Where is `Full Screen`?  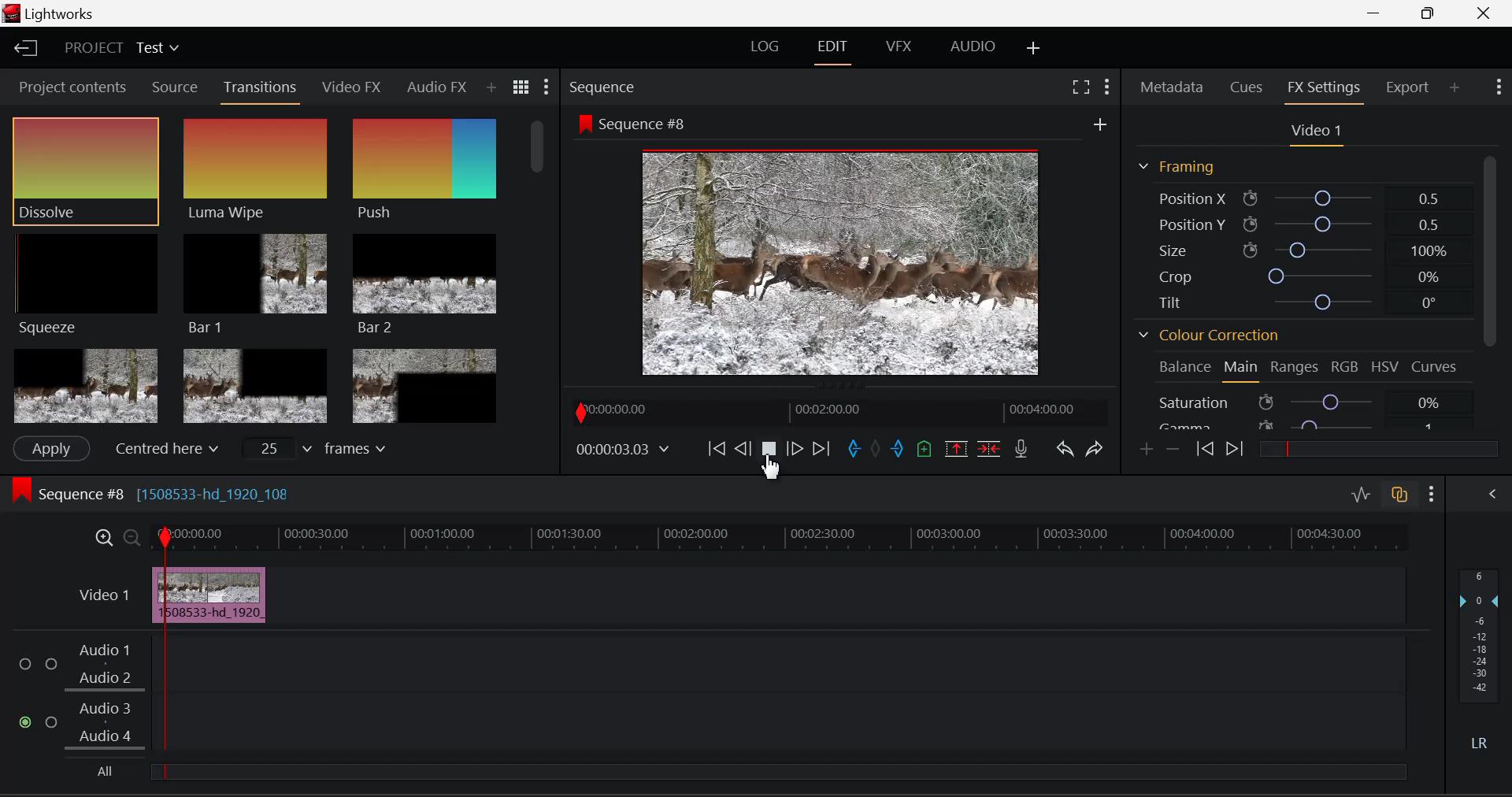 Full Screen is located at coordinates (1083, 87).